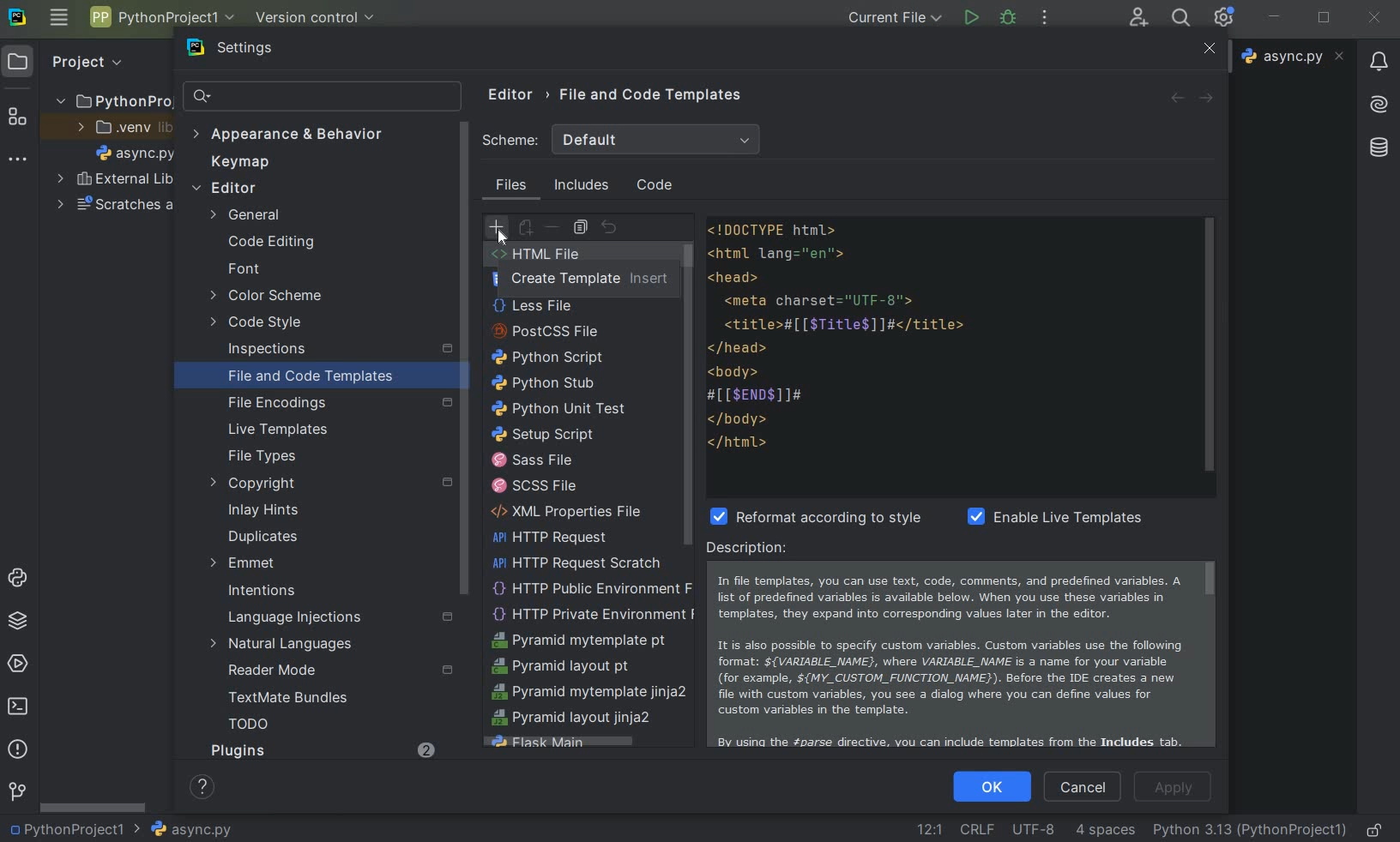 This screenshot has height=842, width=1400. I want to click on color scheme, so click(278, 295).